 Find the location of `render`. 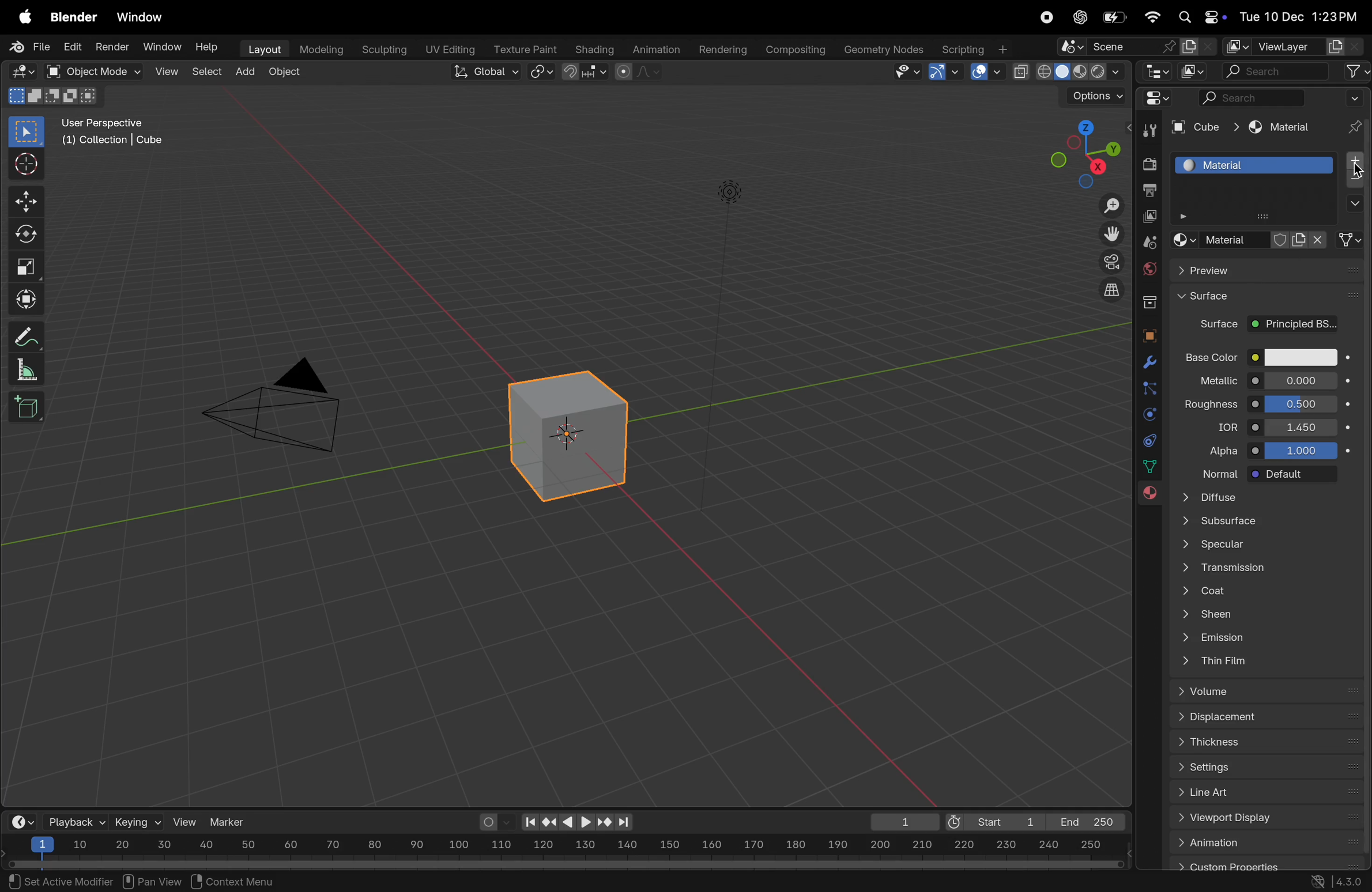

render is located at coordinates (1148, 164).